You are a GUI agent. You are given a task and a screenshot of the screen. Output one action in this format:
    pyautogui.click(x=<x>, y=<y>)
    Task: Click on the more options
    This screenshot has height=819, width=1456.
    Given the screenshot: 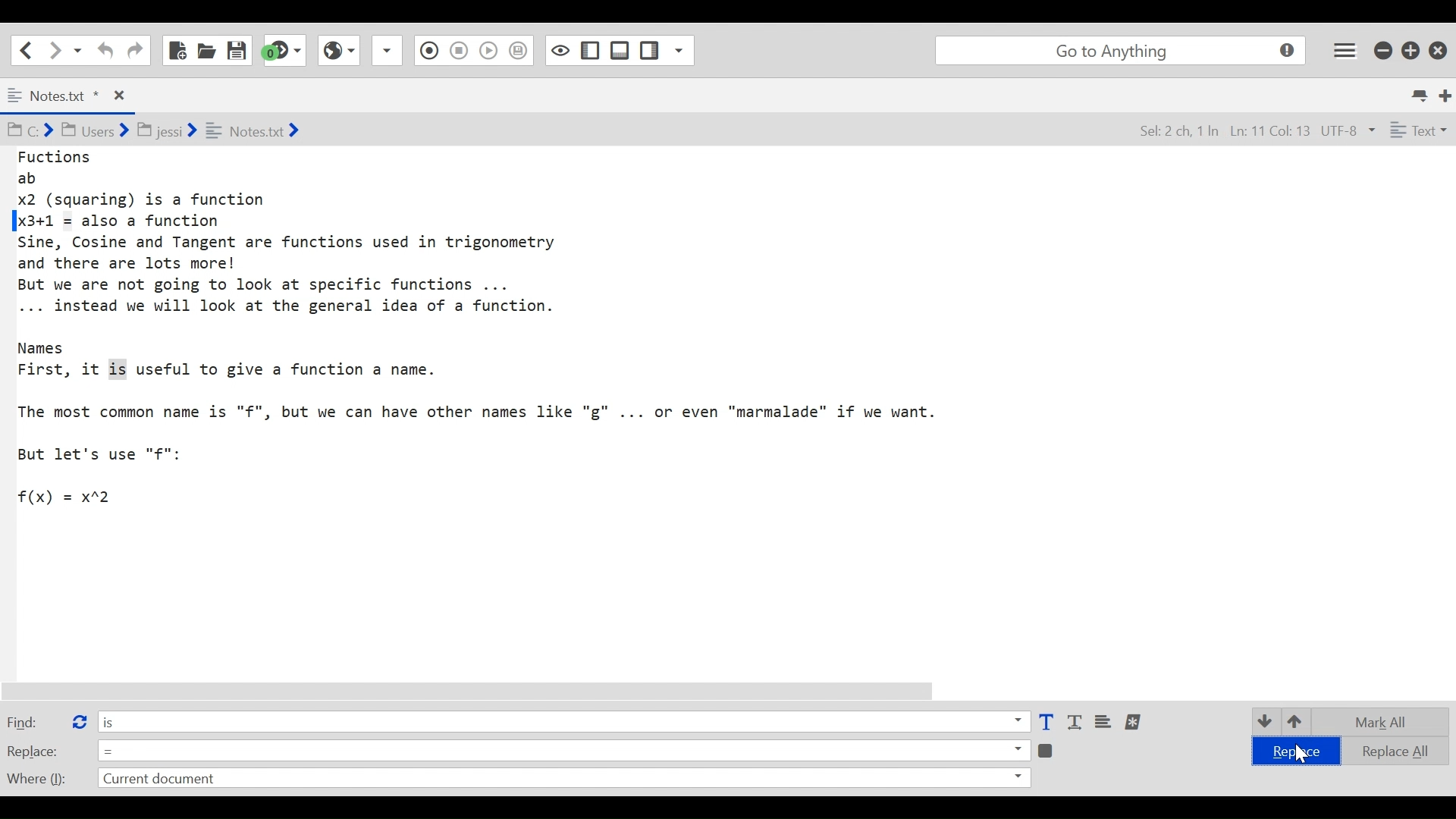 What is the action you would take?
    pyautogui.click(x=1134, y=722)
    